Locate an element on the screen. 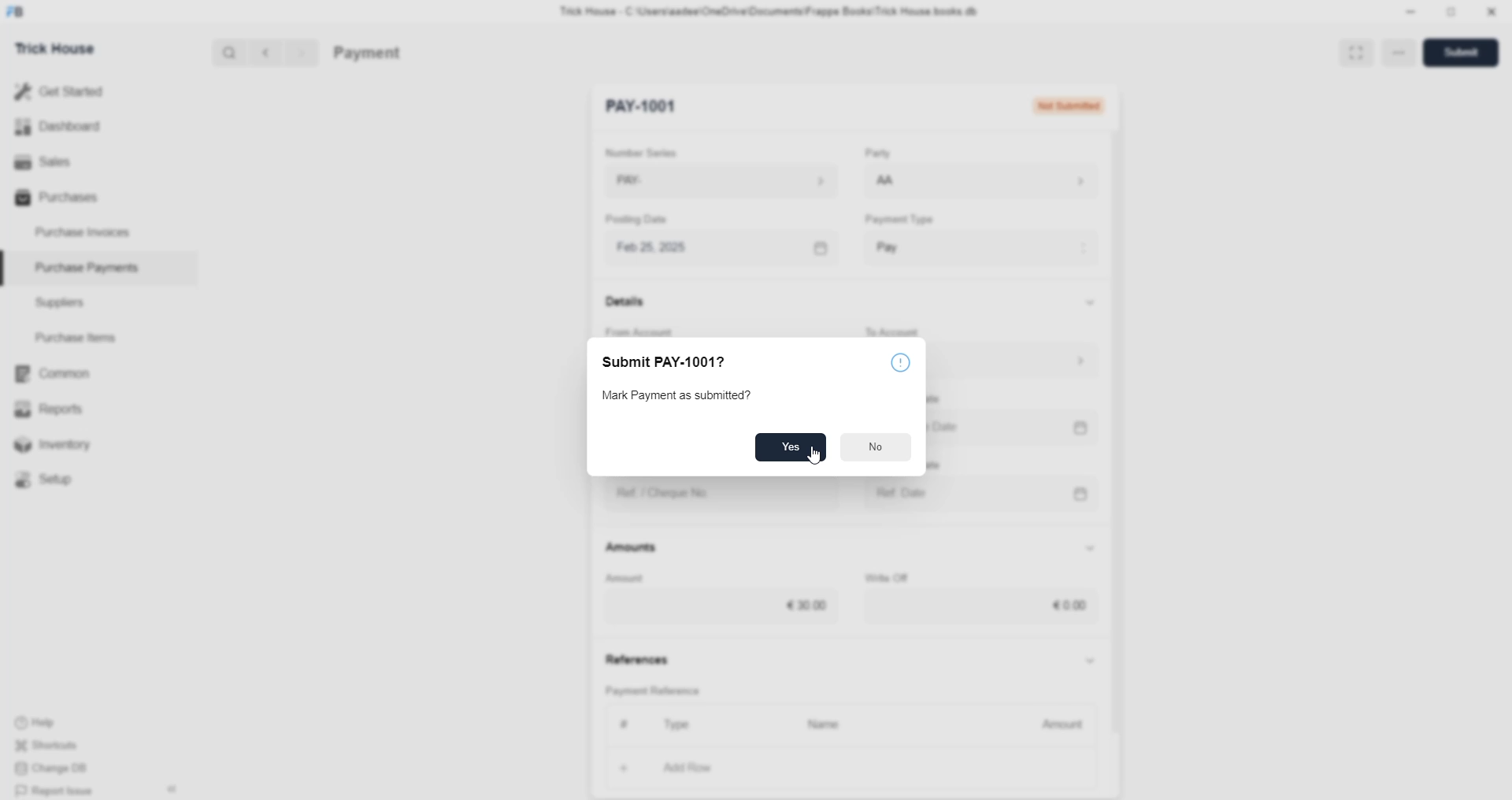  EXPAND is located at coordinates (1359, 50).